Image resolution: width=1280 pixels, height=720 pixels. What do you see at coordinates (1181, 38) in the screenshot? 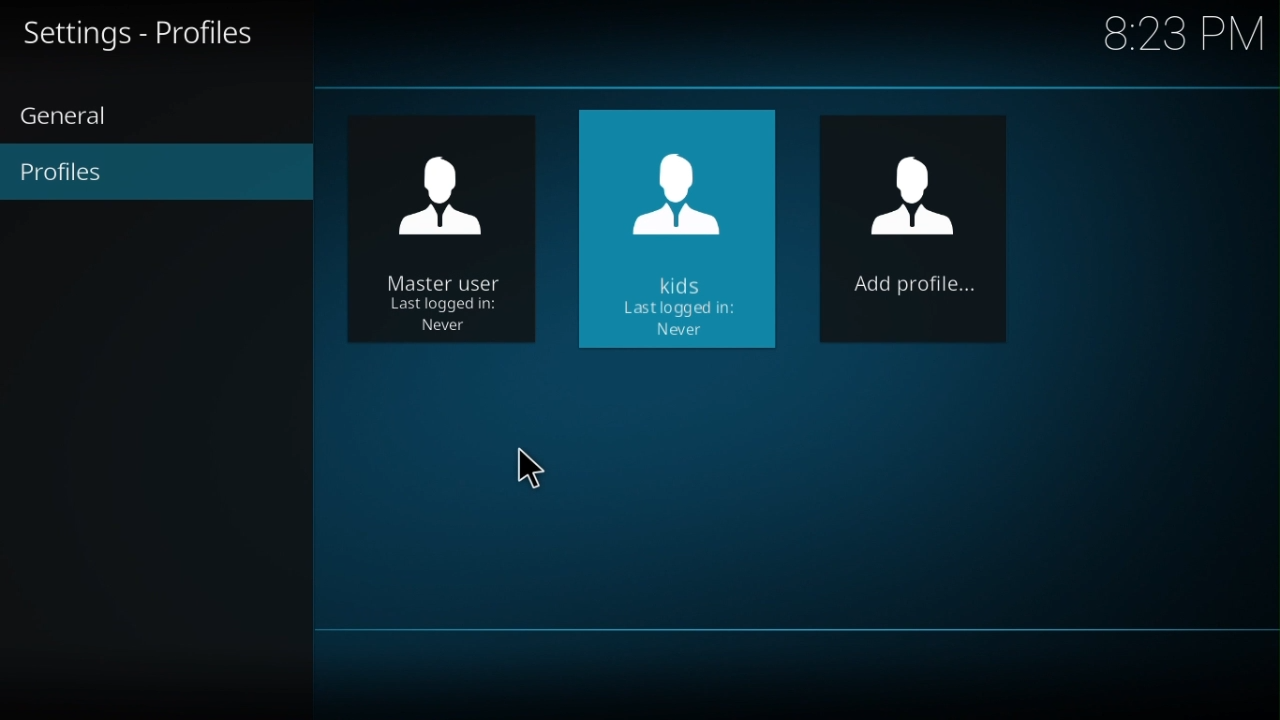
I see `time` at bounding box center [1181, 38].